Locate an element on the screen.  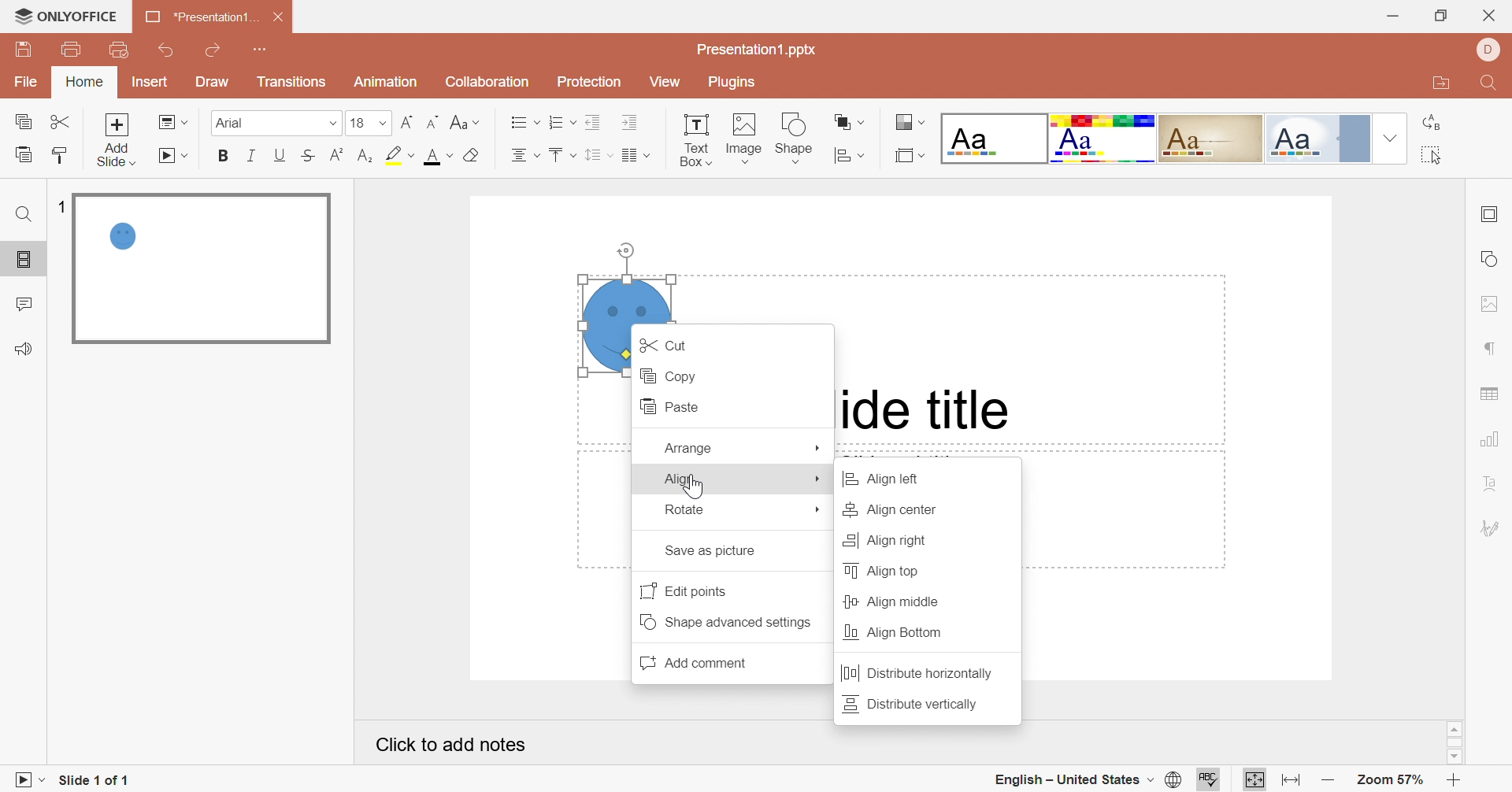
Arrange is located at coordinates (689, 448).